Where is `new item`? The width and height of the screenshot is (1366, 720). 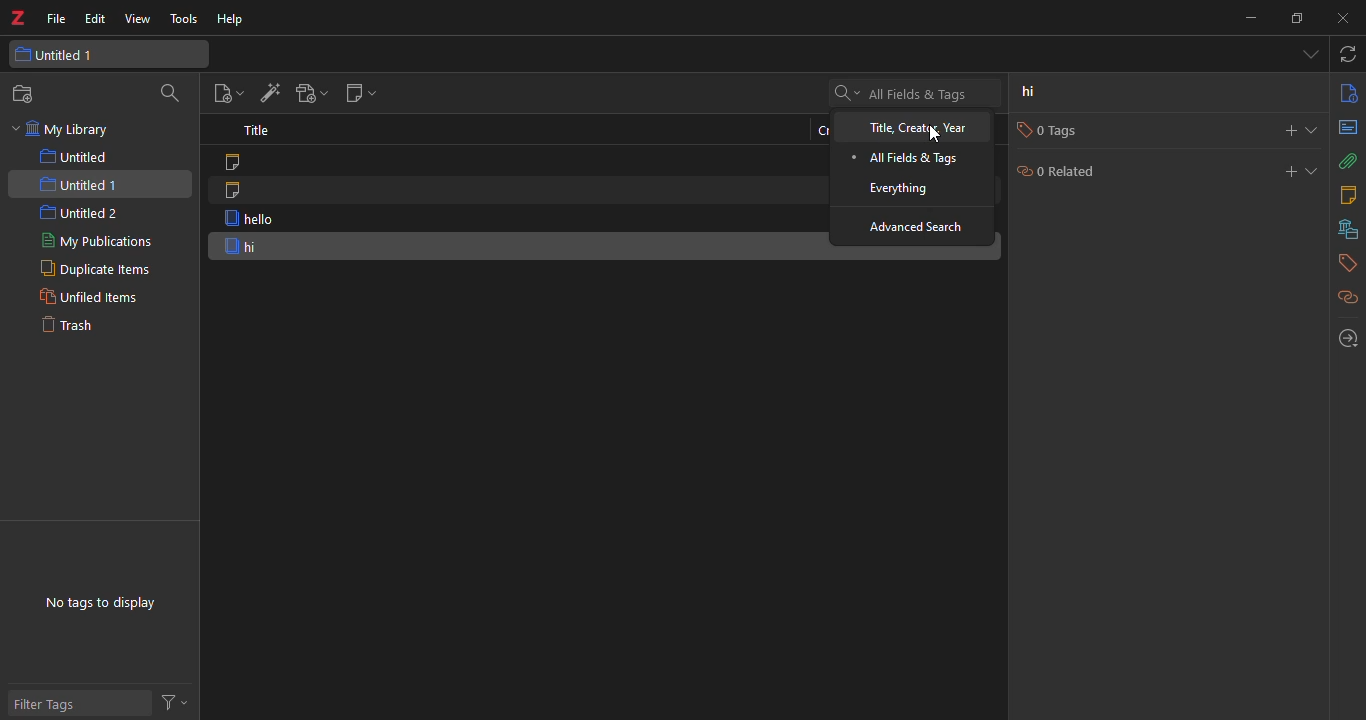
new item is located at coordinates (223, 93).